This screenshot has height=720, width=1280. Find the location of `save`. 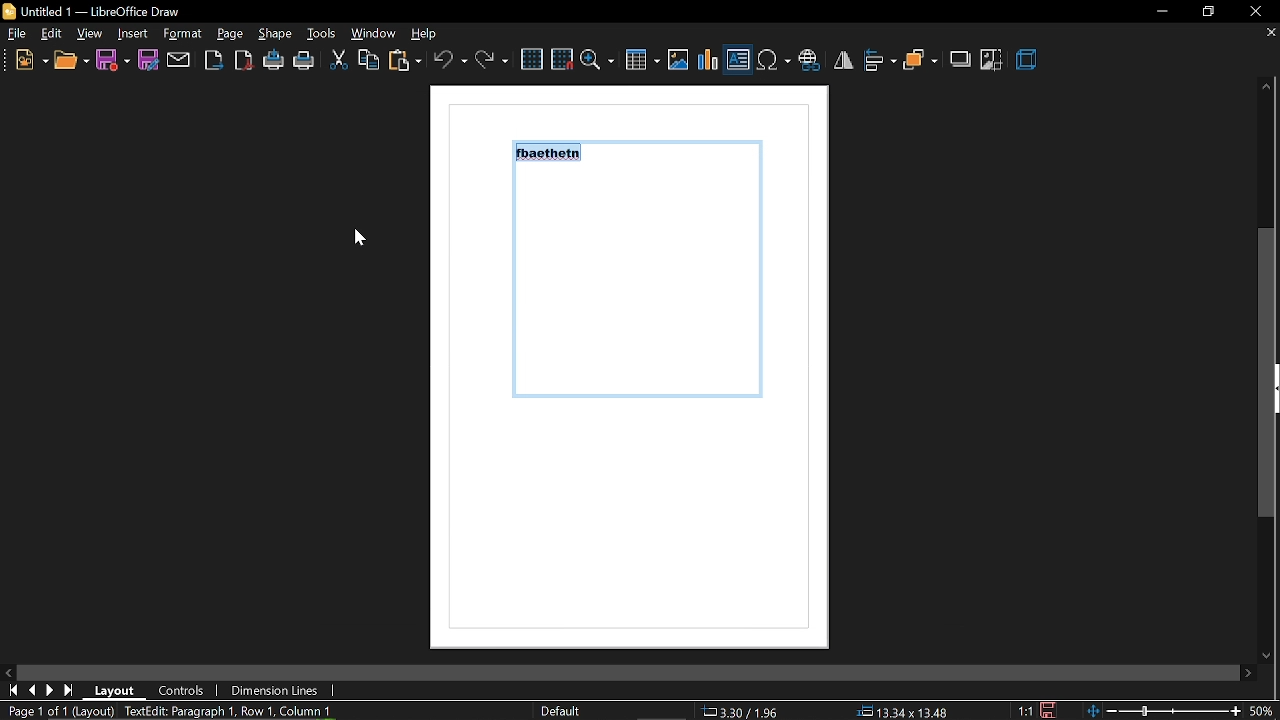

save is located at coordinates (114, 61).